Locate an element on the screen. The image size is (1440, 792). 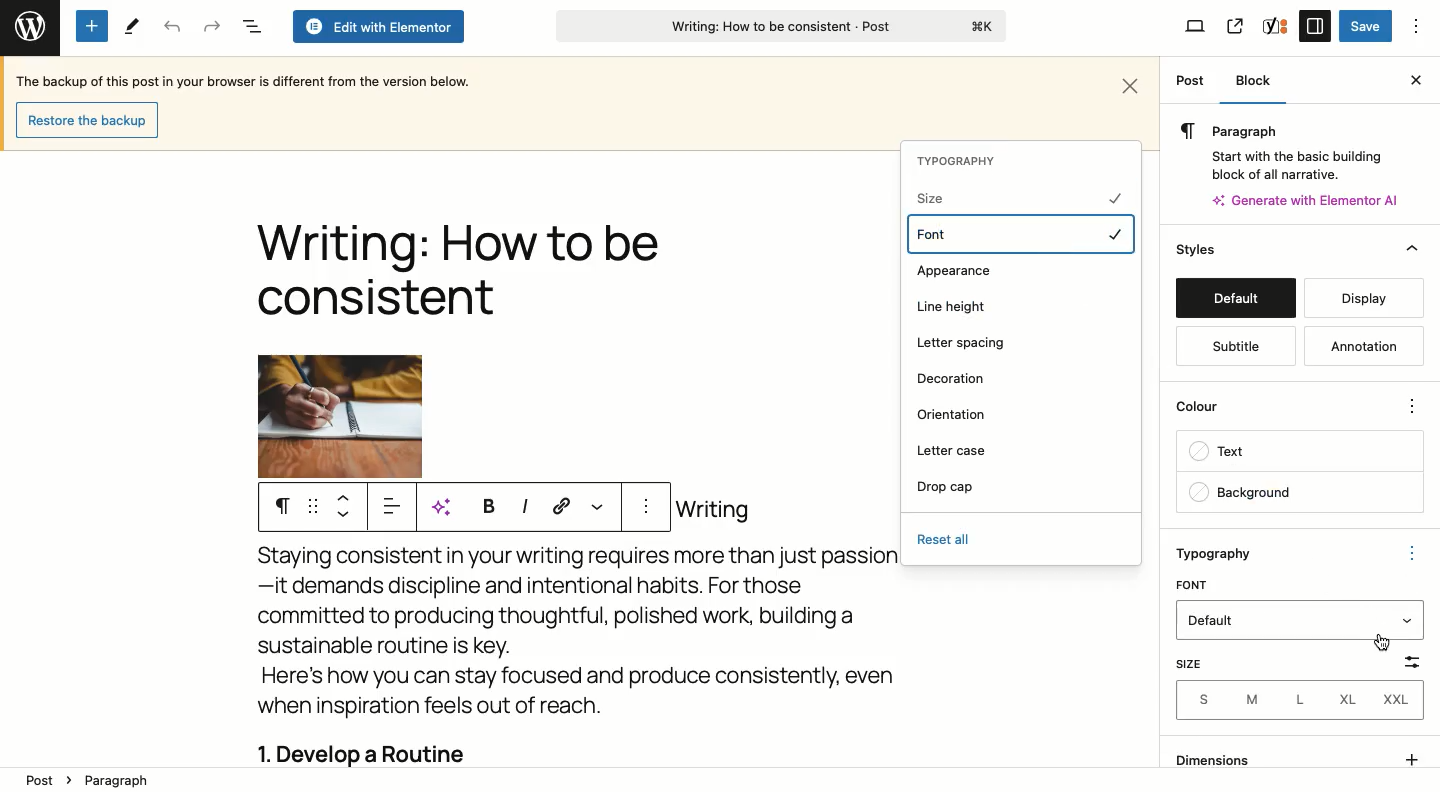
Add new block is located at coordinates (92, 26).